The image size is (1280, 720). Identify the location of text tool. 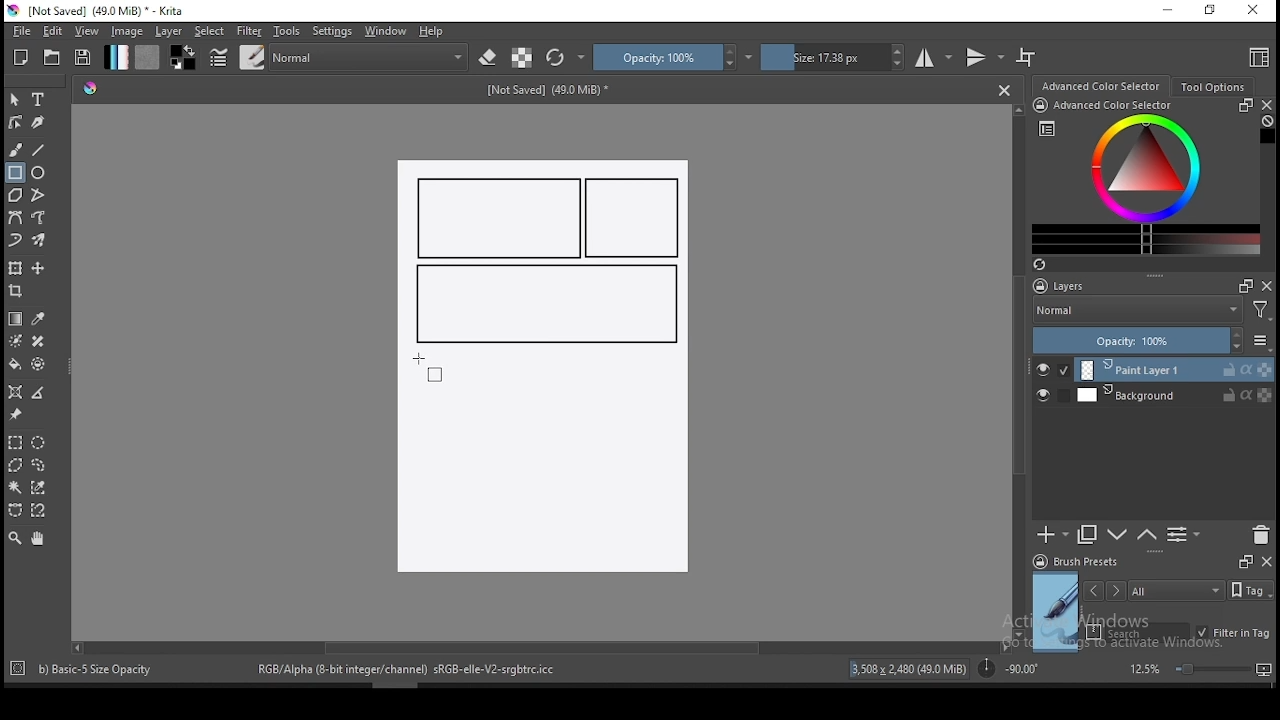
(39, 100).